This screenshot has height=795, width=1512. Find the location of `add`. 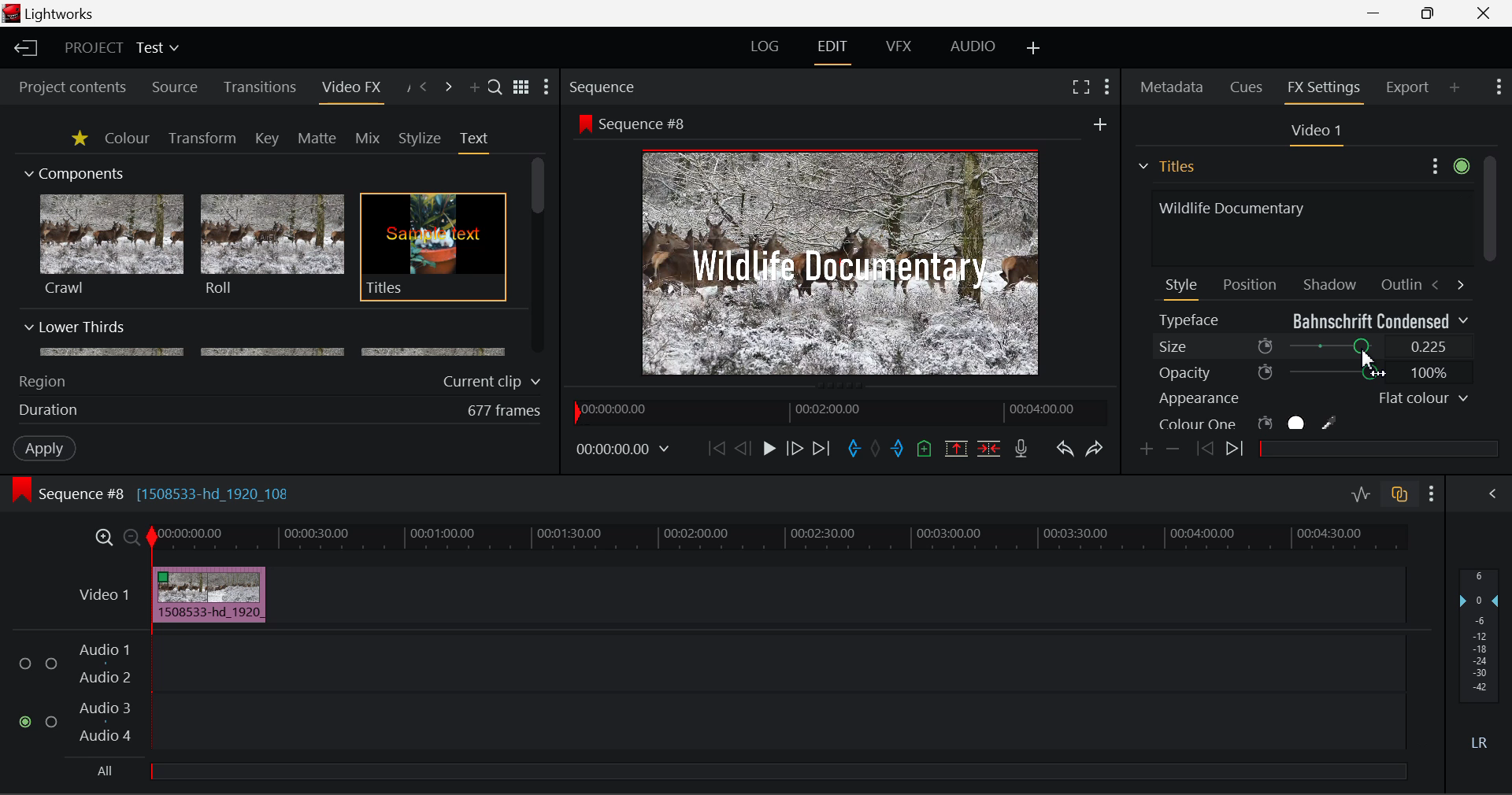

add is located at coordinates (1100, 124).